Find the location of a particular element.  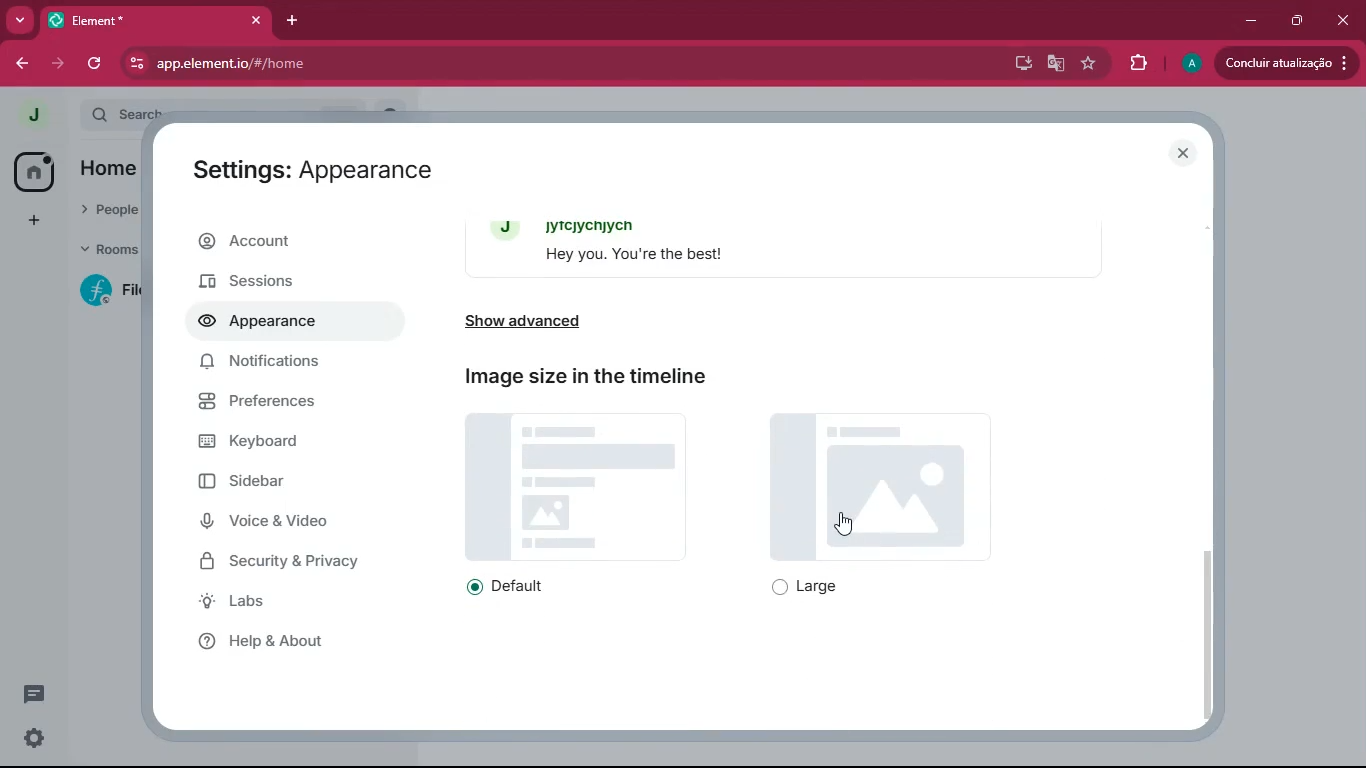

settings is located at coordinates (33, 737).